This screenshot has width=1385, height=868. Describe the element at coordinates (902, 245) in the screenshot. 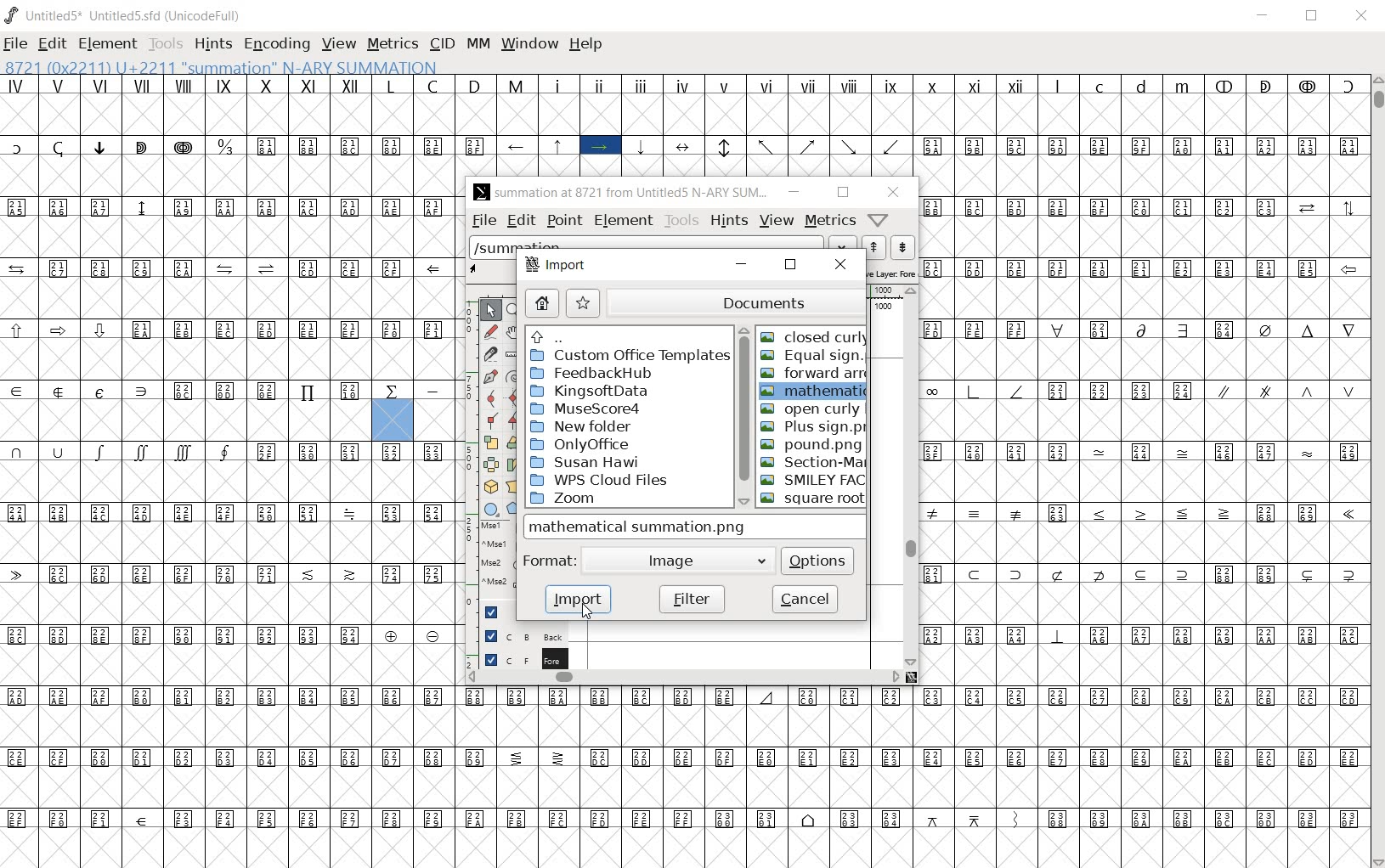

I see `show the previous word on the list` at that location.